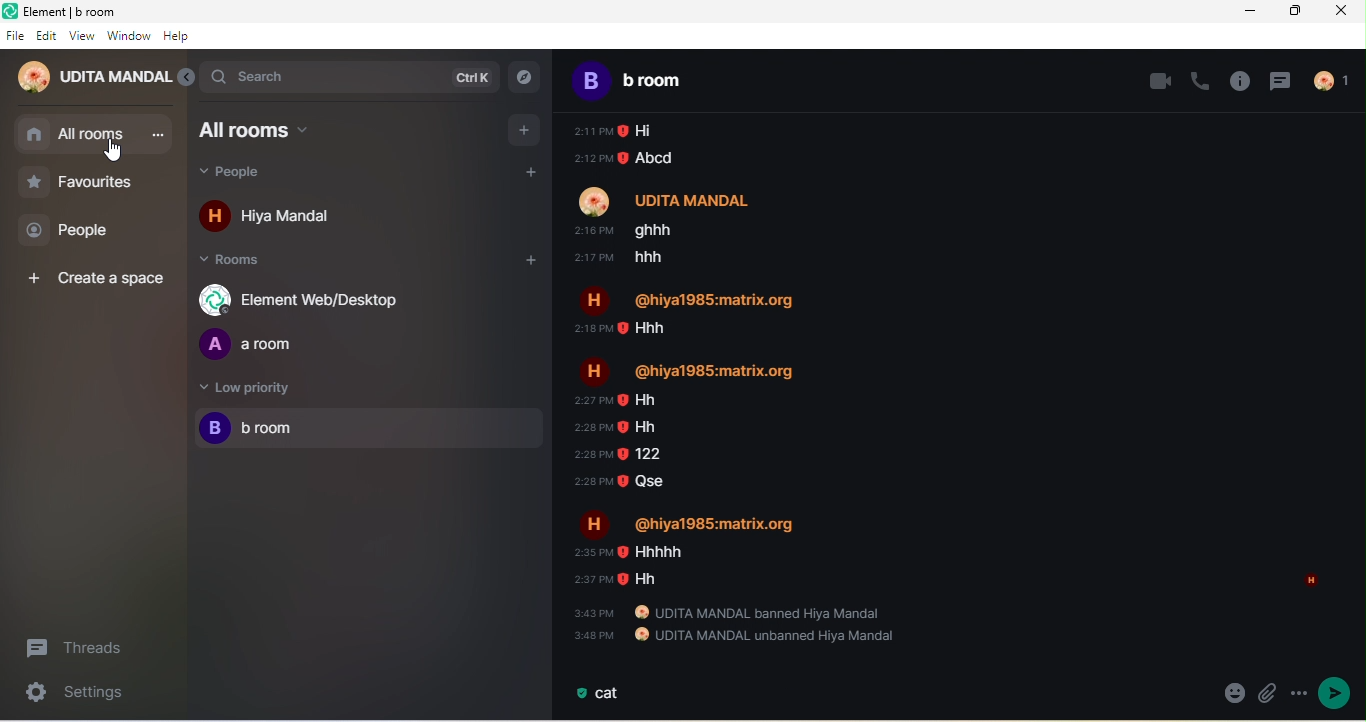 The height and width of the screenshot is (722, 1366). Describe the element at coordinates (66, 694) in the screenshot. I see `settings` at that location.